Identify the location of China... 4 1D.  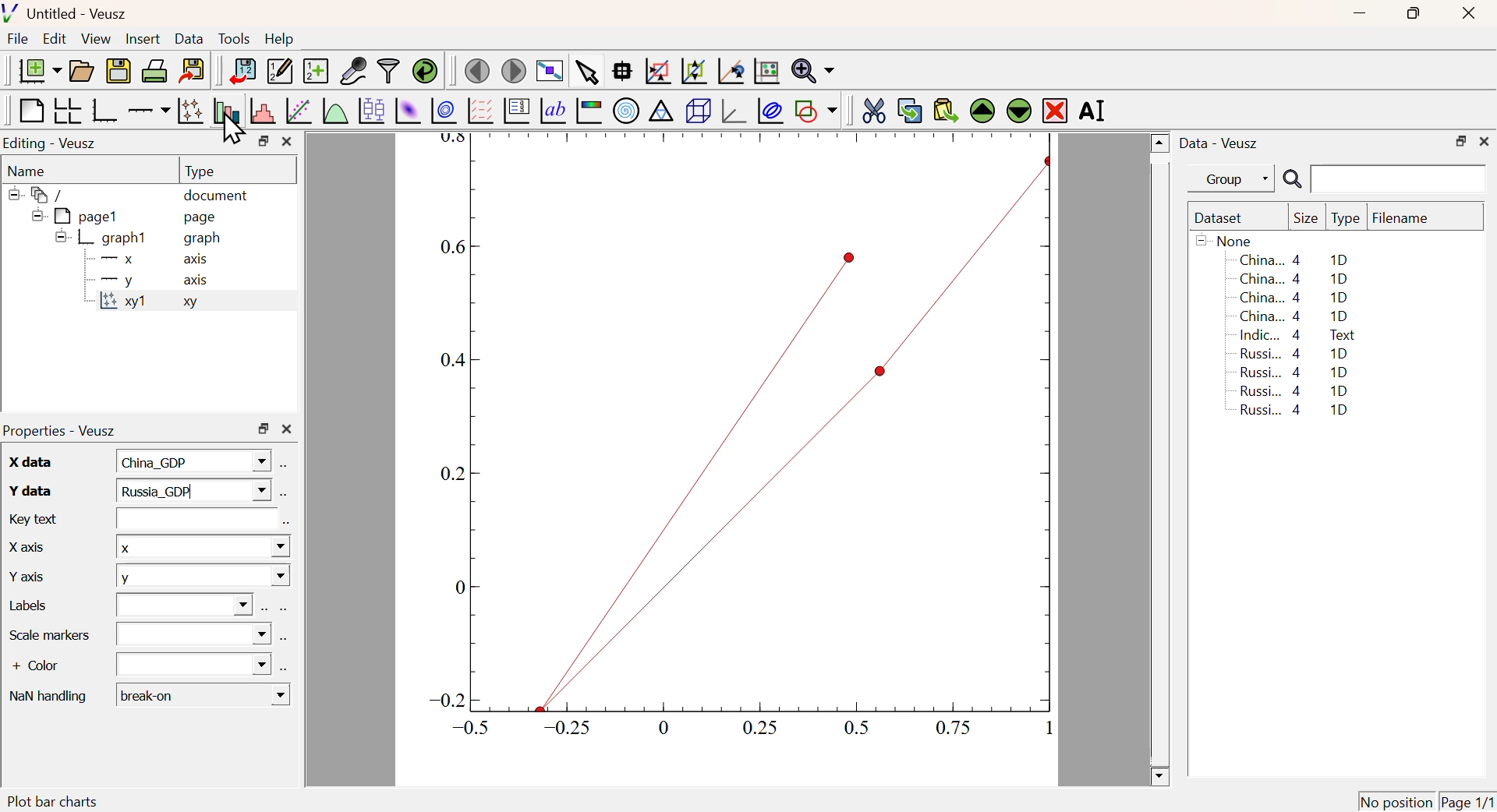
(1294, 316).